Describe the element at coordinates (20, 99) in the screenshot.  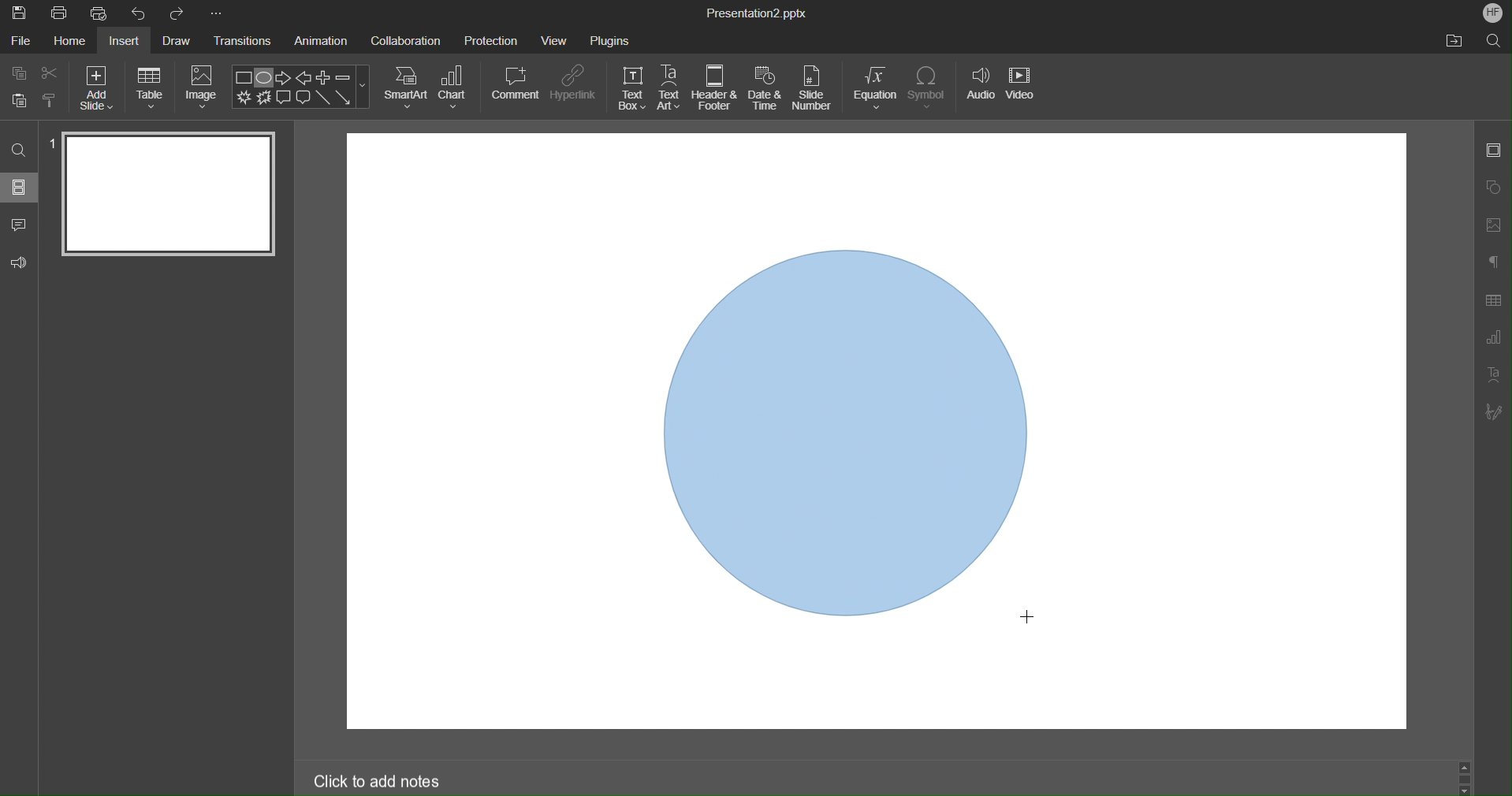
I see `` at that location.